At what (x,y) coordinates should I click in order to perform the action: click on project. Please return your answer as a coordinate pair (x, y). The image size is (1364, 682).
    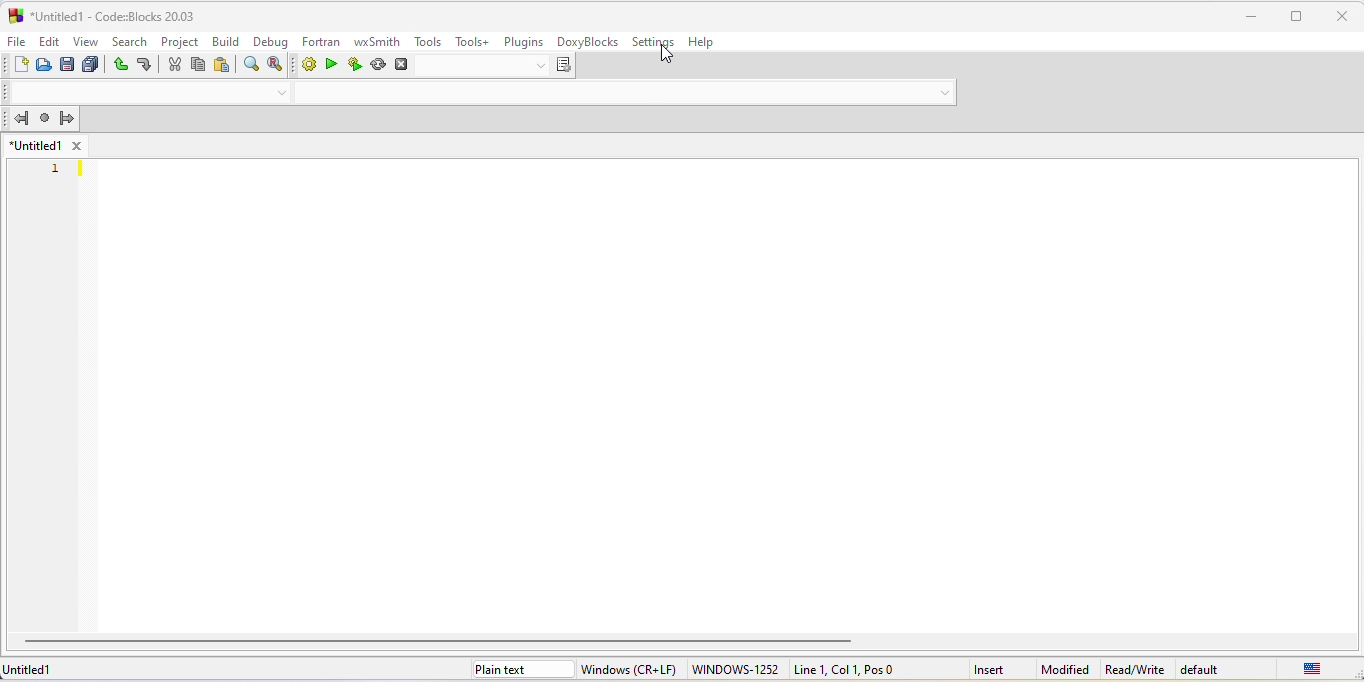
    Looking at the image, I should click on (179, 42).